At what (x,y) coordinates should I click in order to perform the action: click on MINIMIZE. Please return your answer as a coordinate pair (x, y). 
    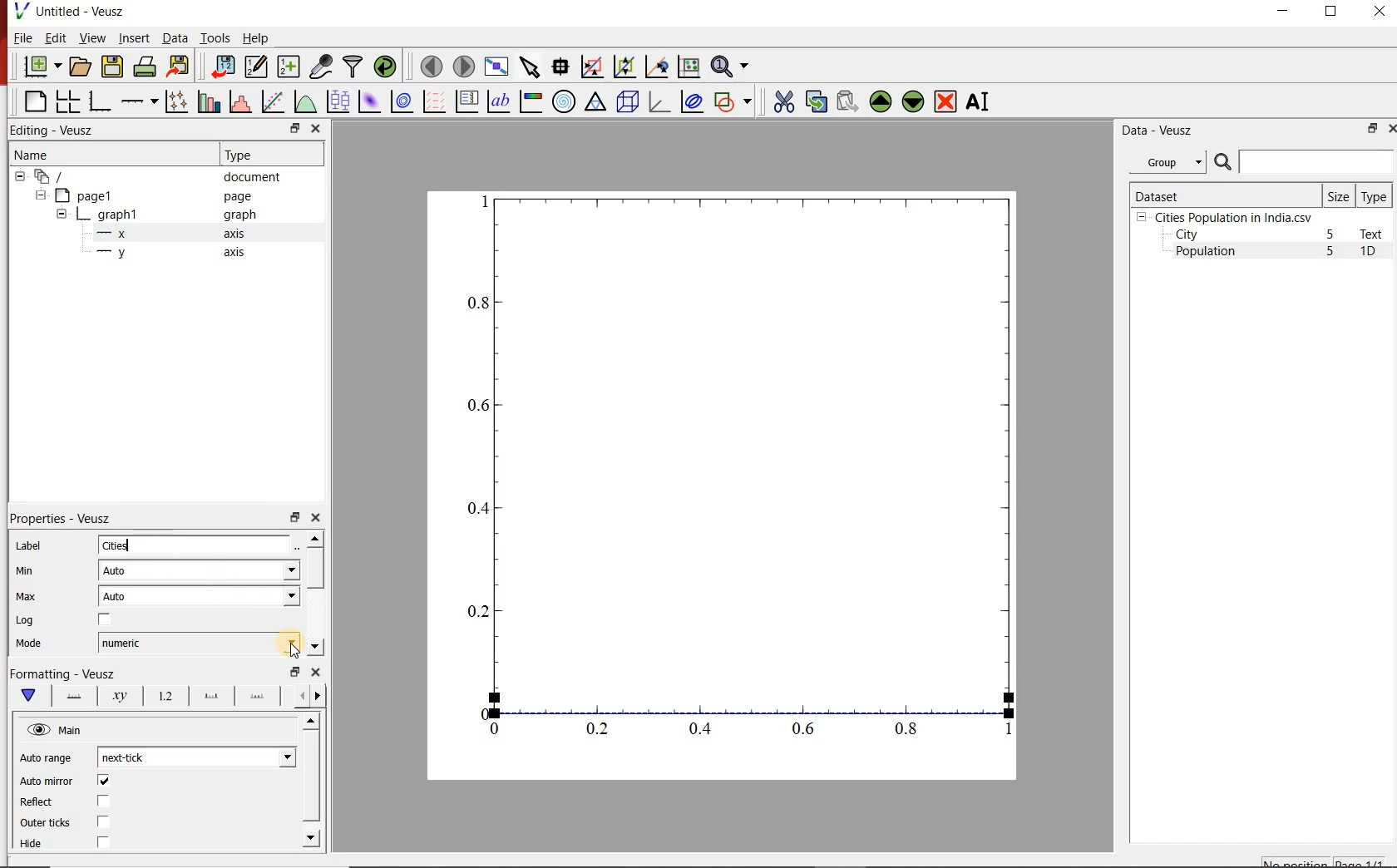
    Looking at the image, I should click on (1284, 11).